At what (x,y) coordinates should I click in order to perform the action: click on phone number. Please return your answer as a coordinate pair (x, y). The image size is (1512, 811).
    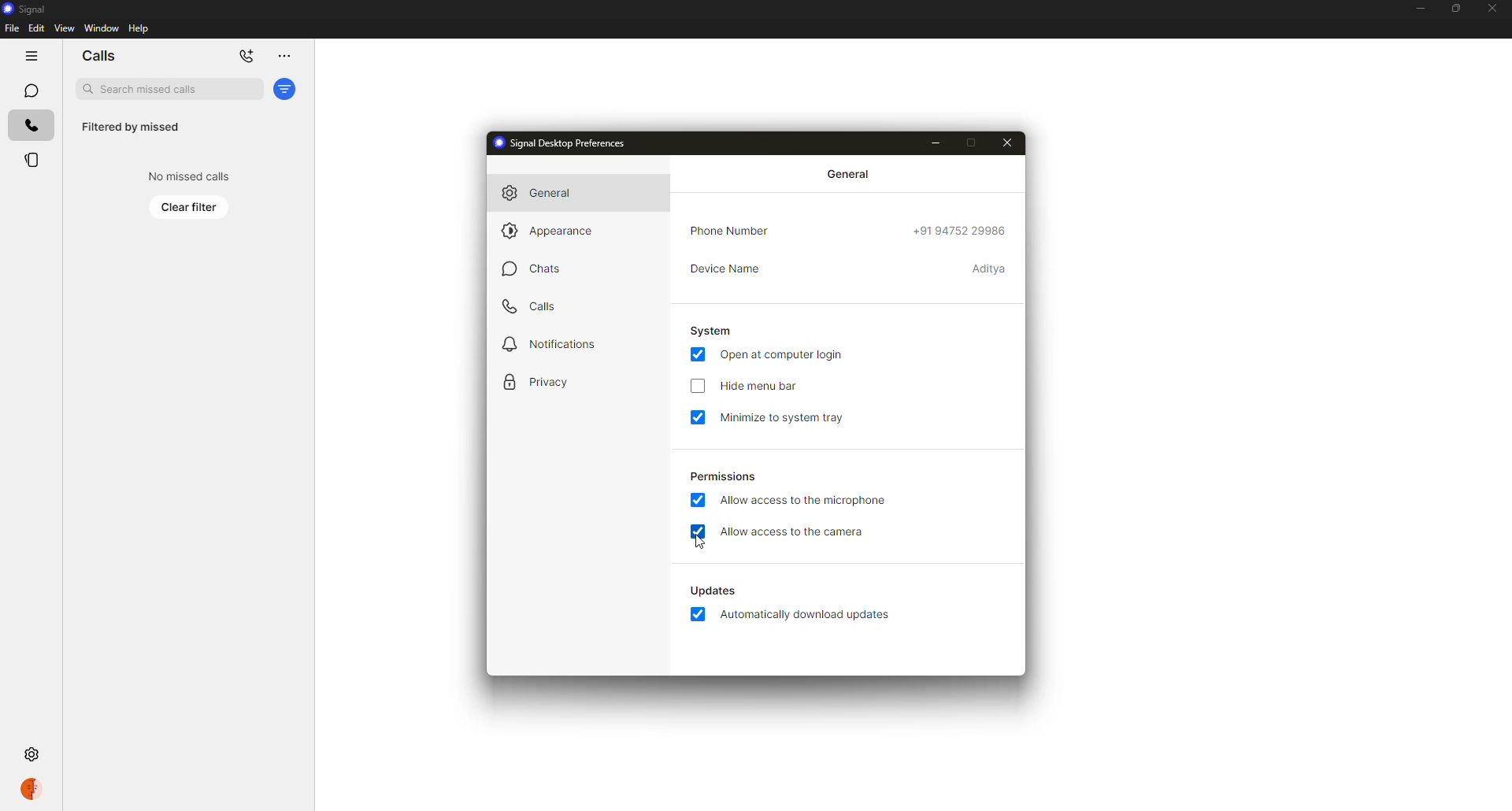
    Looking at the image, I should click on (735, 230).